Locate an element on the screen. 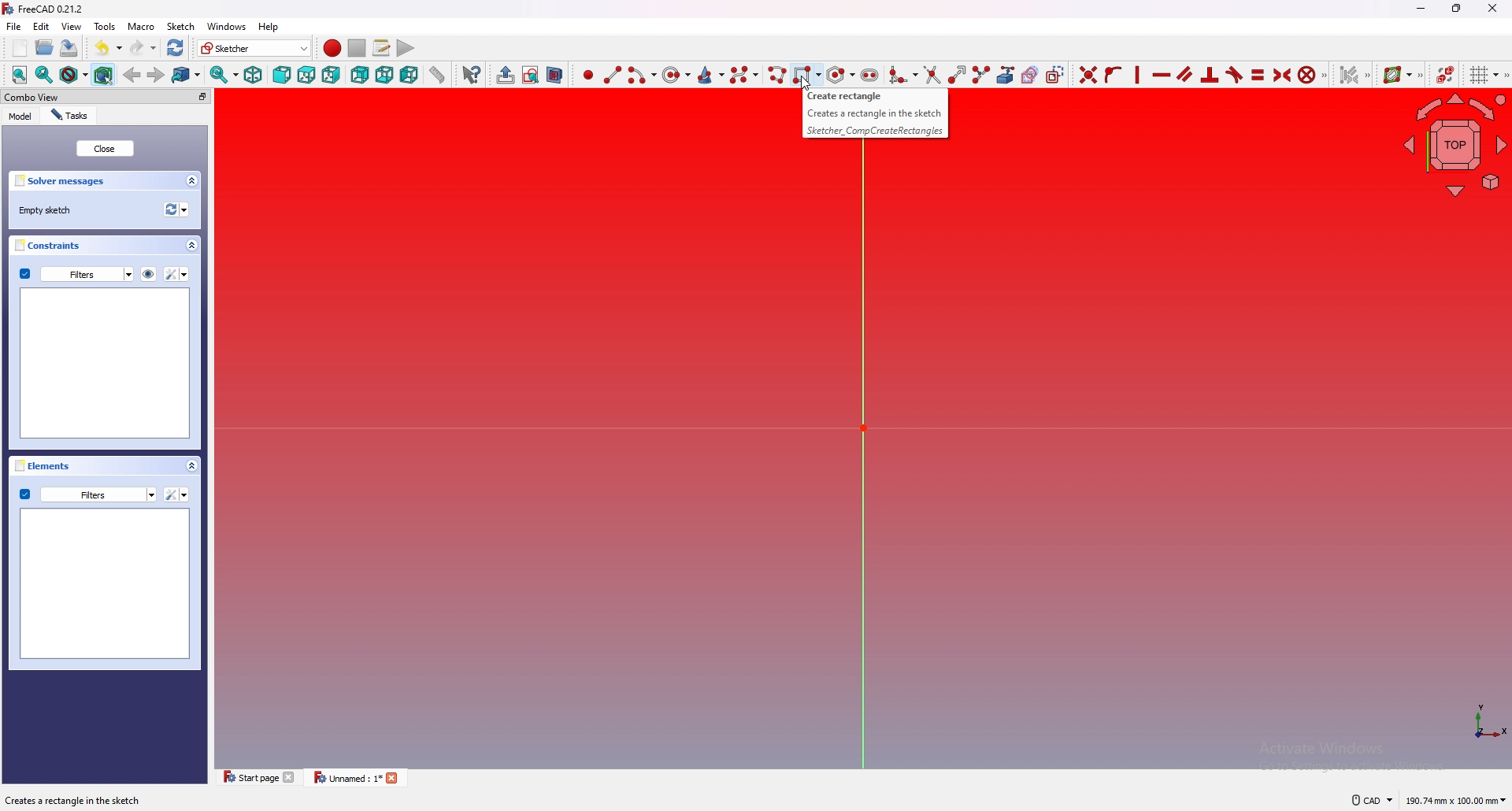 The width and height of the screenshot is (1512, 811). collapse is located at coordinates (191, 465).